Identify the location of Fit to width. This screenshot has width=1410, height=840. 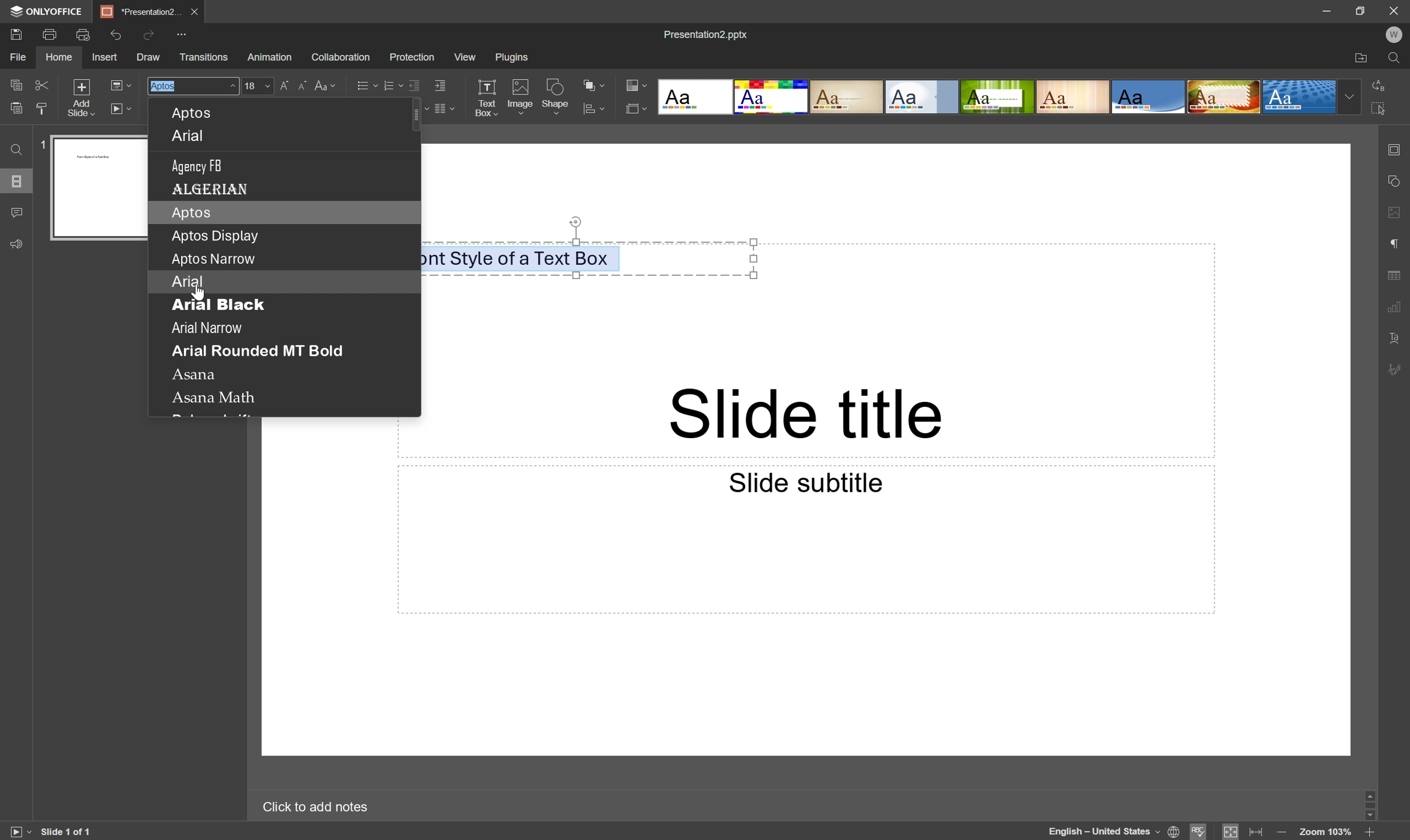
(1259, 832).